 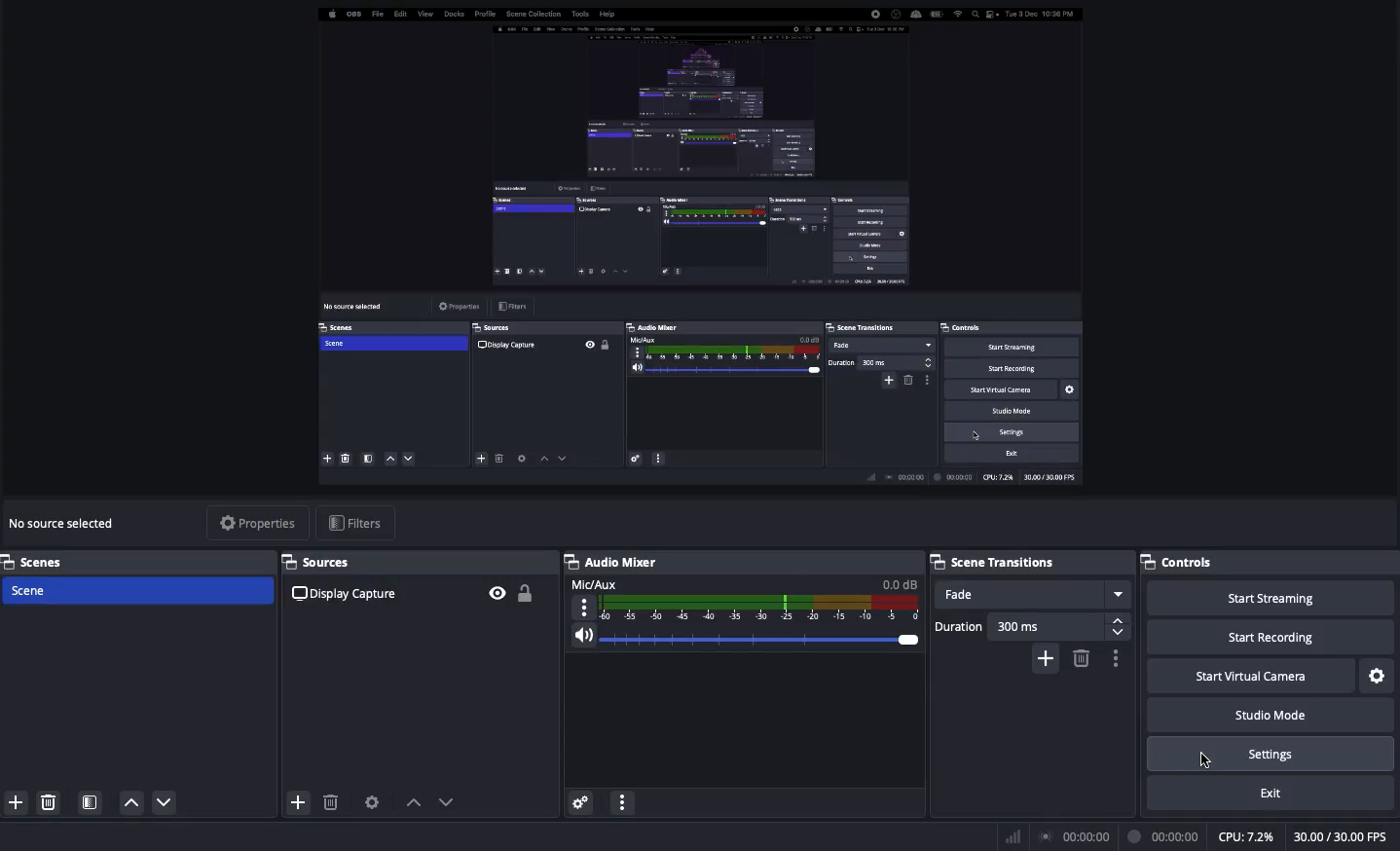 What do you see at coordinates (1076, 836) in the screenshot?
I see `Broadcast` at bounding box center [1076, 836].